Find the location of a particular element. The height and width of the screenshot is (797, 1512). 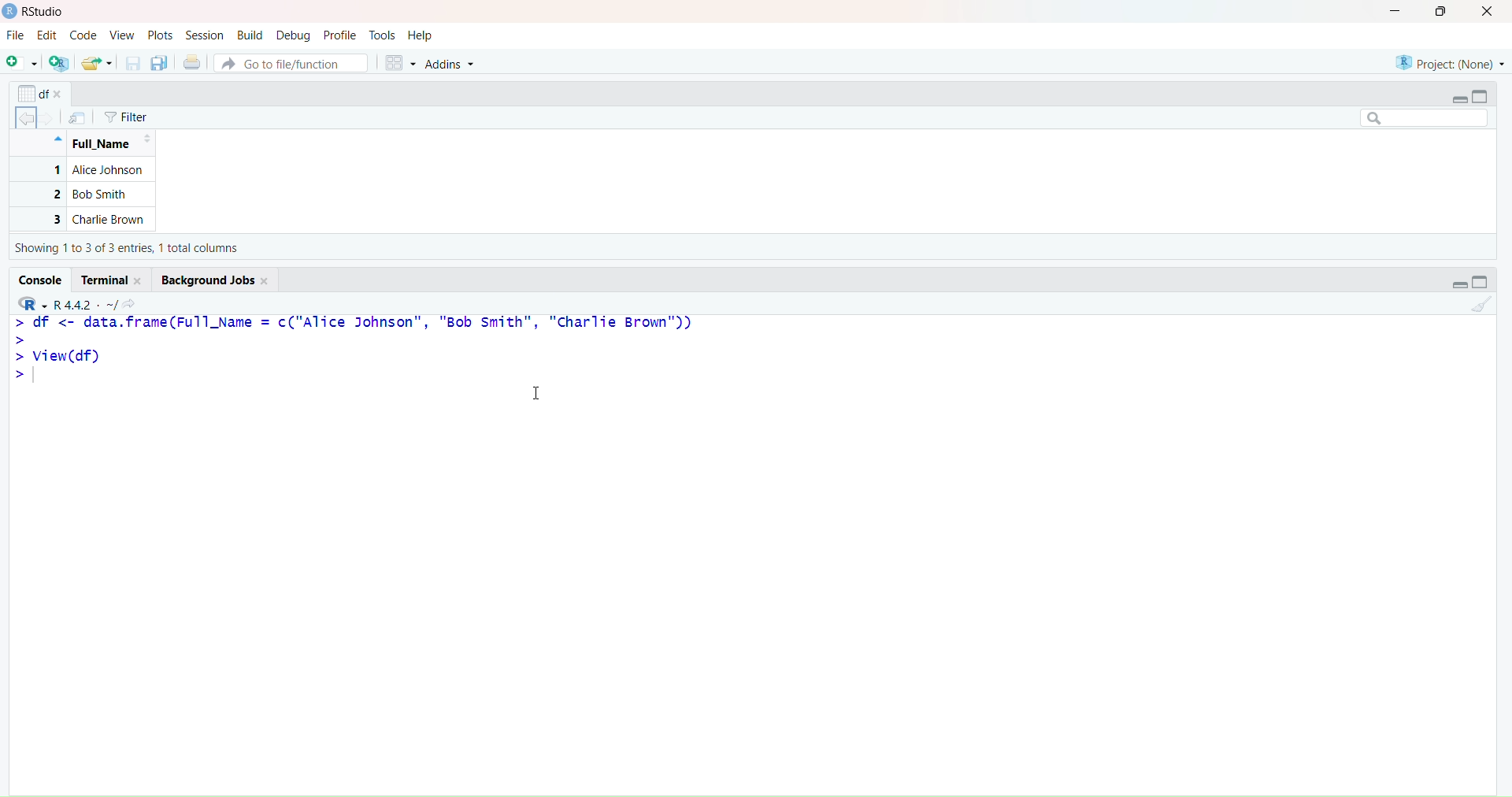

showing 1 to 3 of 3 entries, 1 total columns is located at coordinates (132, 250).